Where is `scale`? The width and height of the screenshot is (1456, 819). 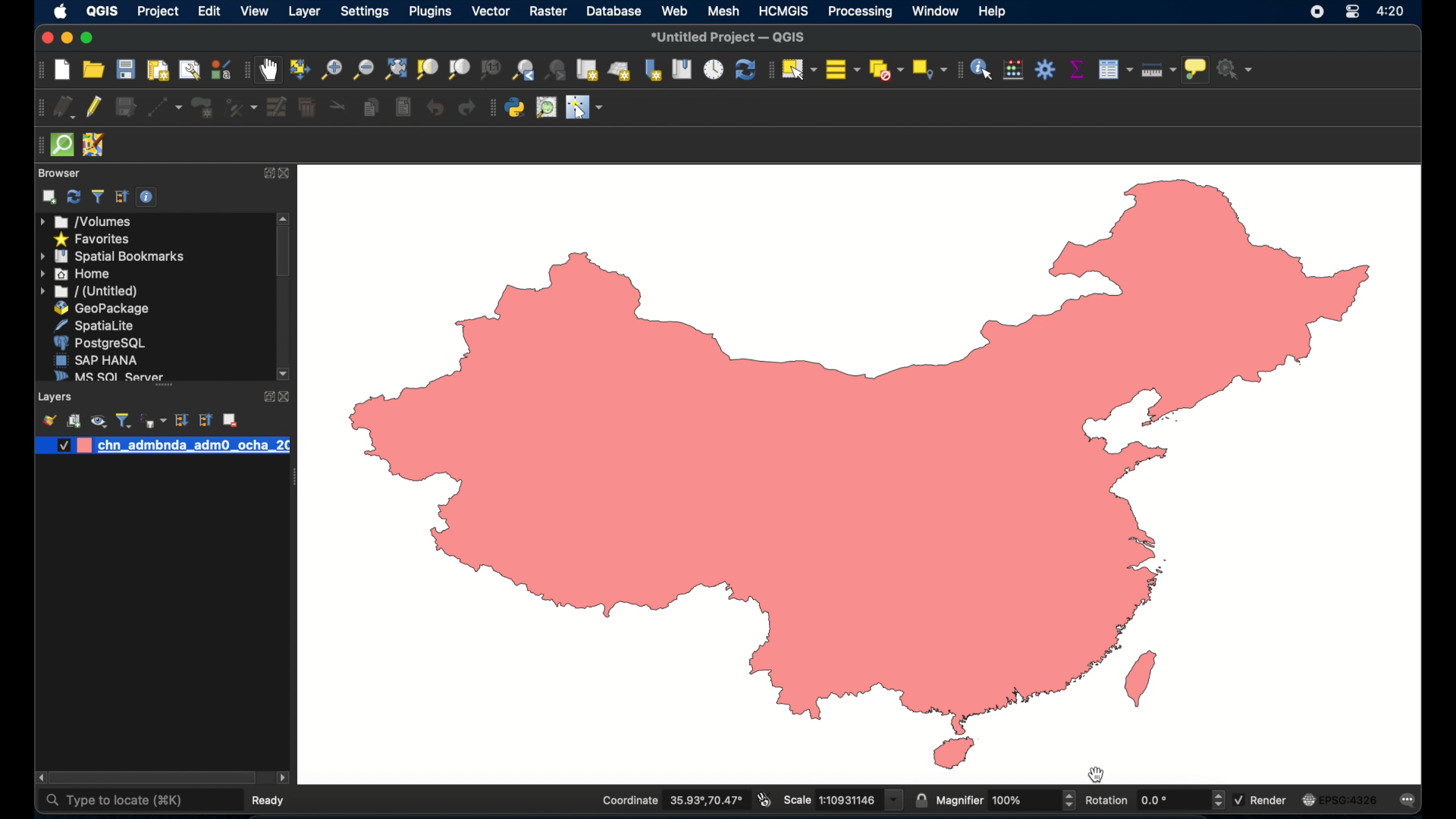 scale is located at coordinates (842, 800).